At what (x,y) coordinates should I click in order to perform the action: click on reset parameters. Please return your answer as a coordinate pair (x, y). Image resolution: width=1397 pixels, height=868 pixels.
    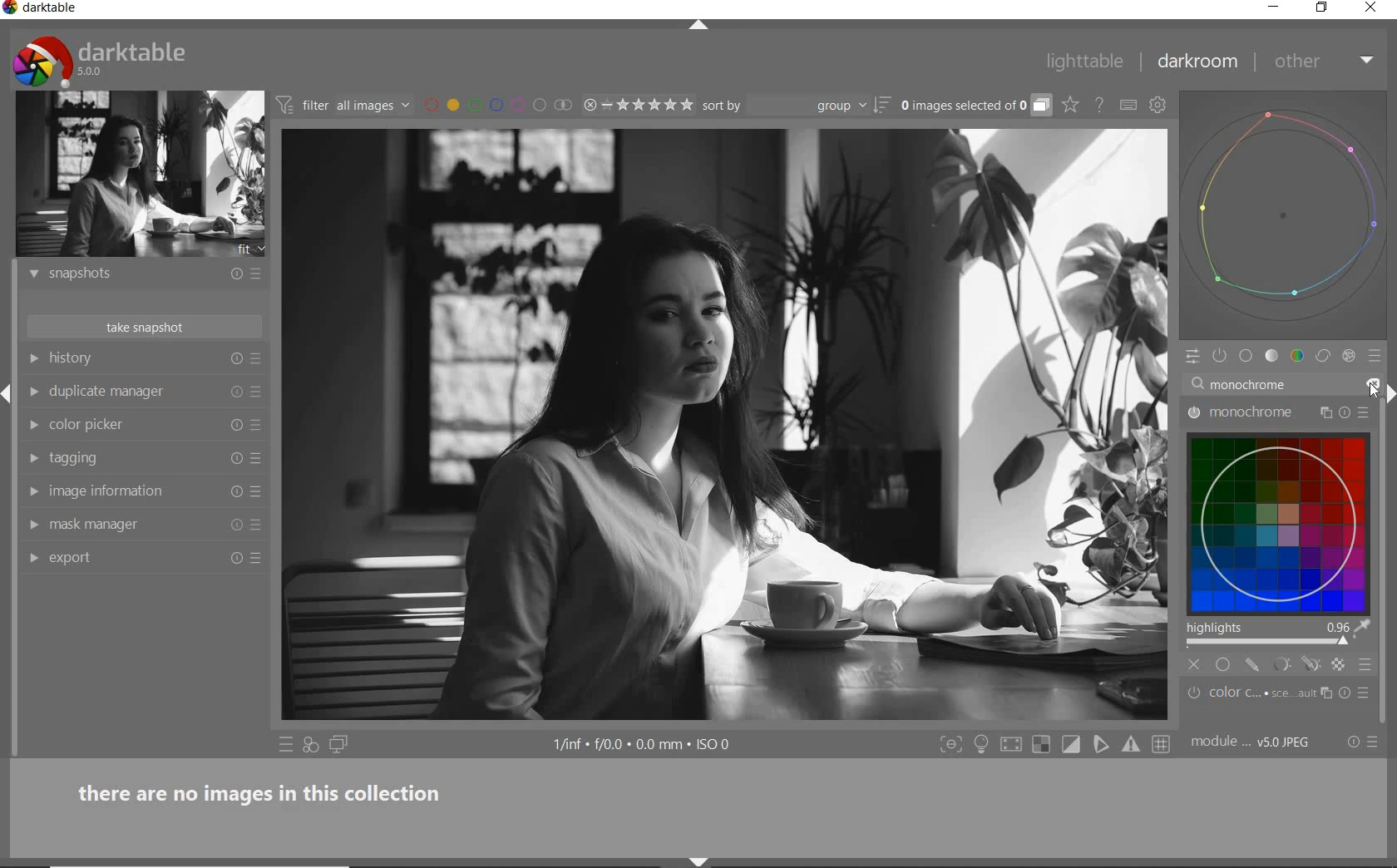
    Looking at the image, I should click on (1343, 693).